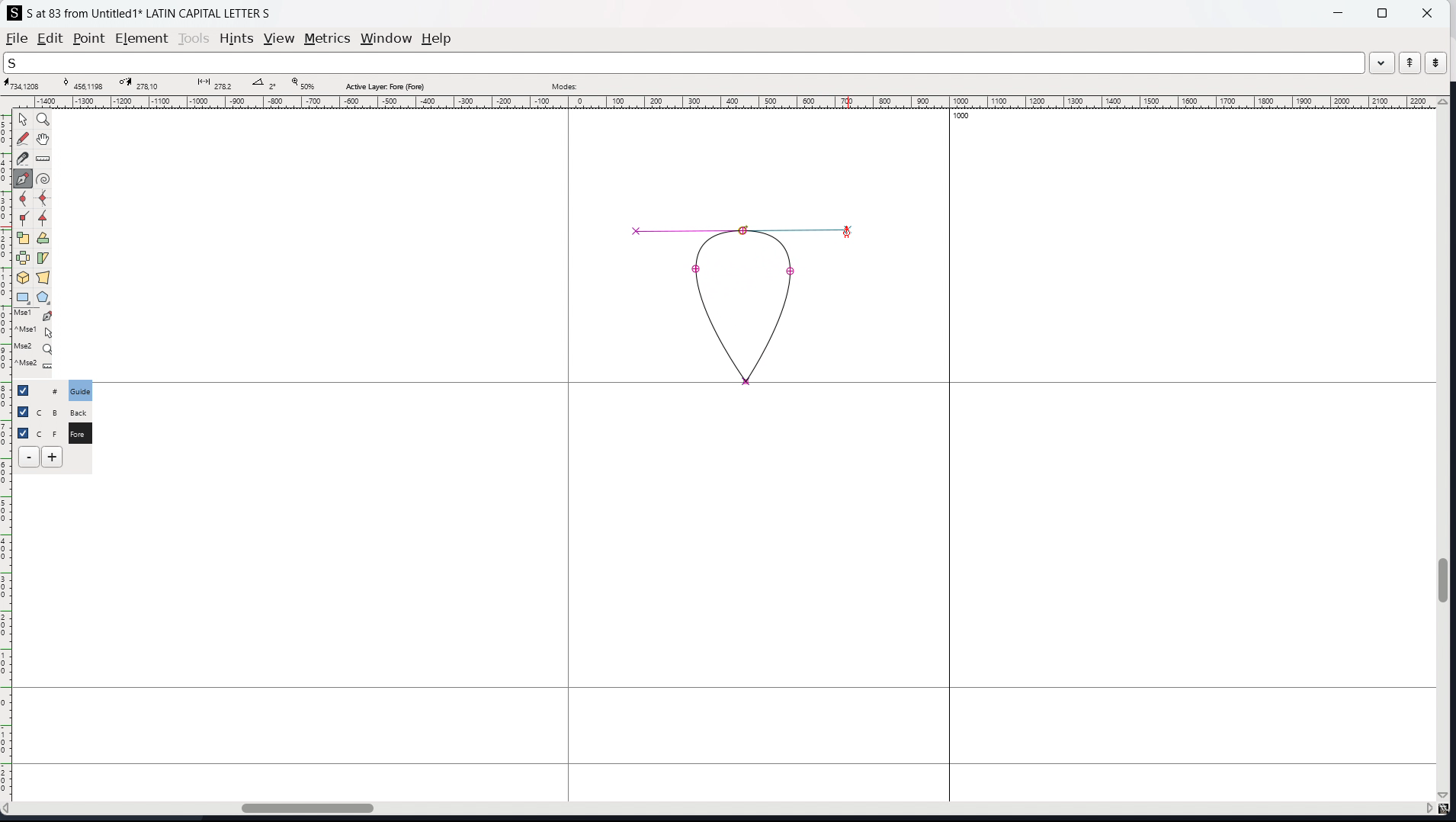 The image size is (1456, 822). I want to click on add a curve point, so click(24, 199).